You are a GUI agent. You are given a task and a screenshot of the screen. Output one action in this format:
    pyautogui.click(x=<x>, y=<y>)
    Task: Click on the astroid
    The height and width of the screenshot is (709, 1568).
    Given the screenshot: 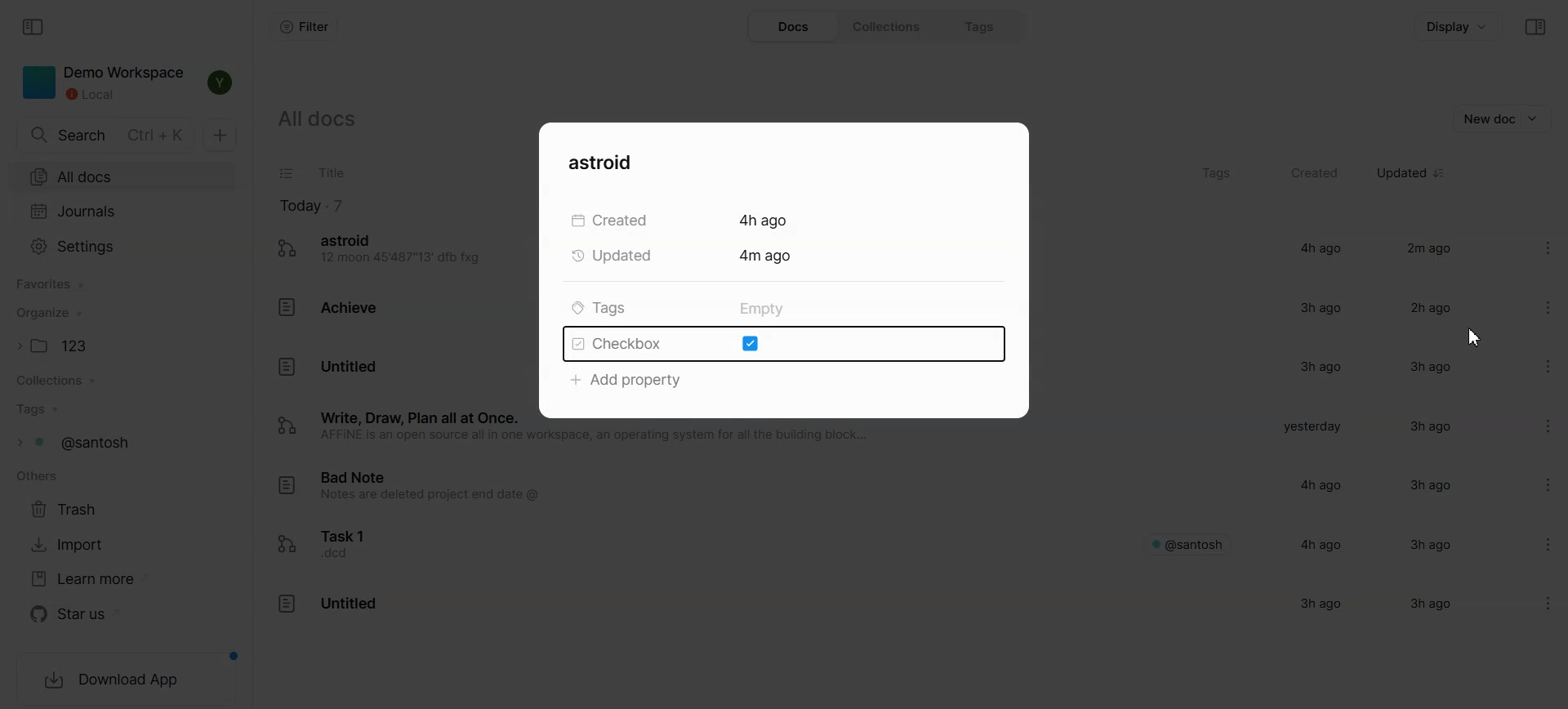 What is the action you would take?
    pyautogui.click(x=609, y=162)
    